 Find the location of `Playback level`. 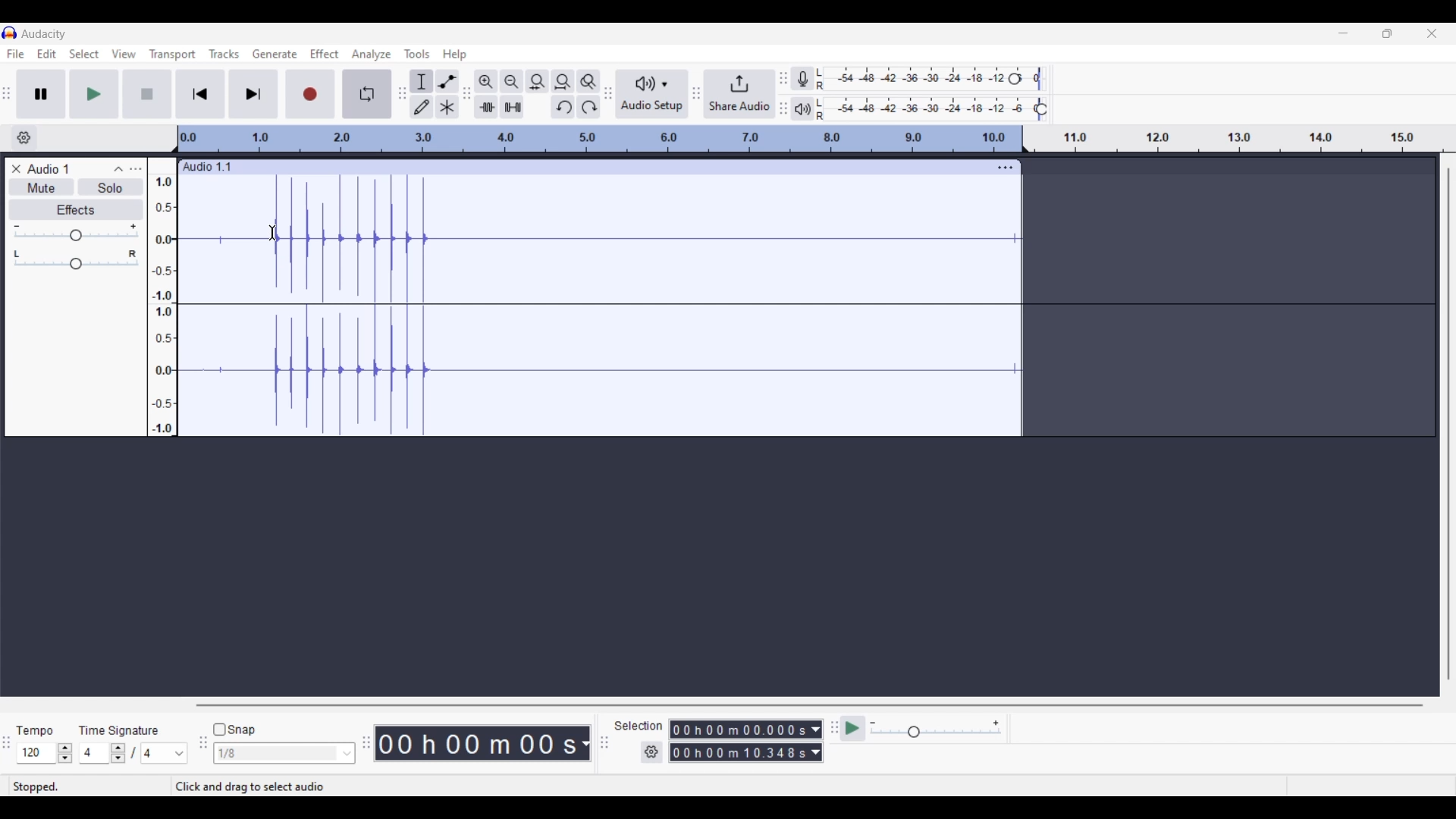

Playback level is located at coordinates (927, 109).